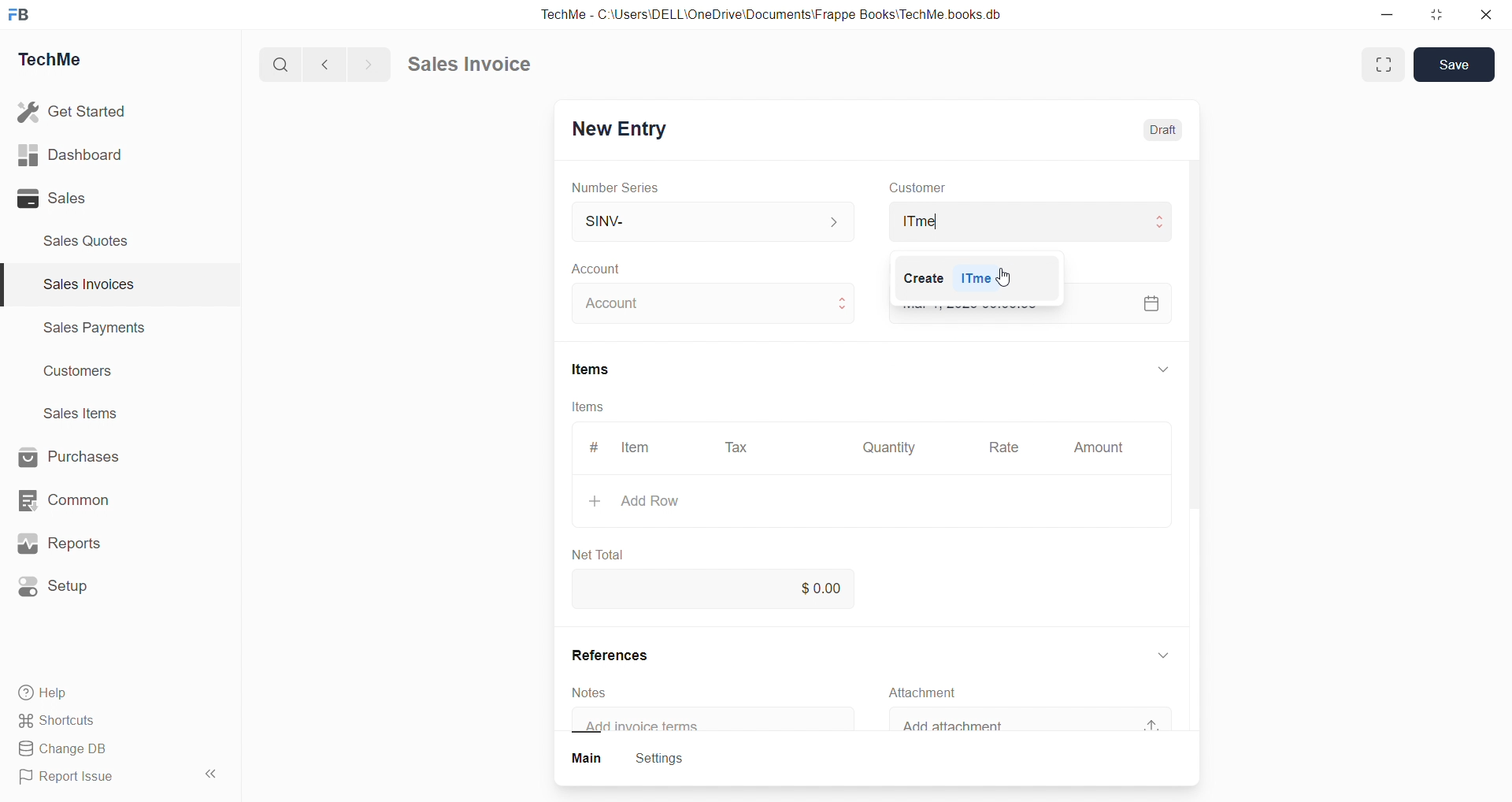 Image resolution: width=1512 pixels, height=802 pixels. What do you see at coordinates (602, 369) in the screenshot?
I see `Items` at bounding box center [602, 369].